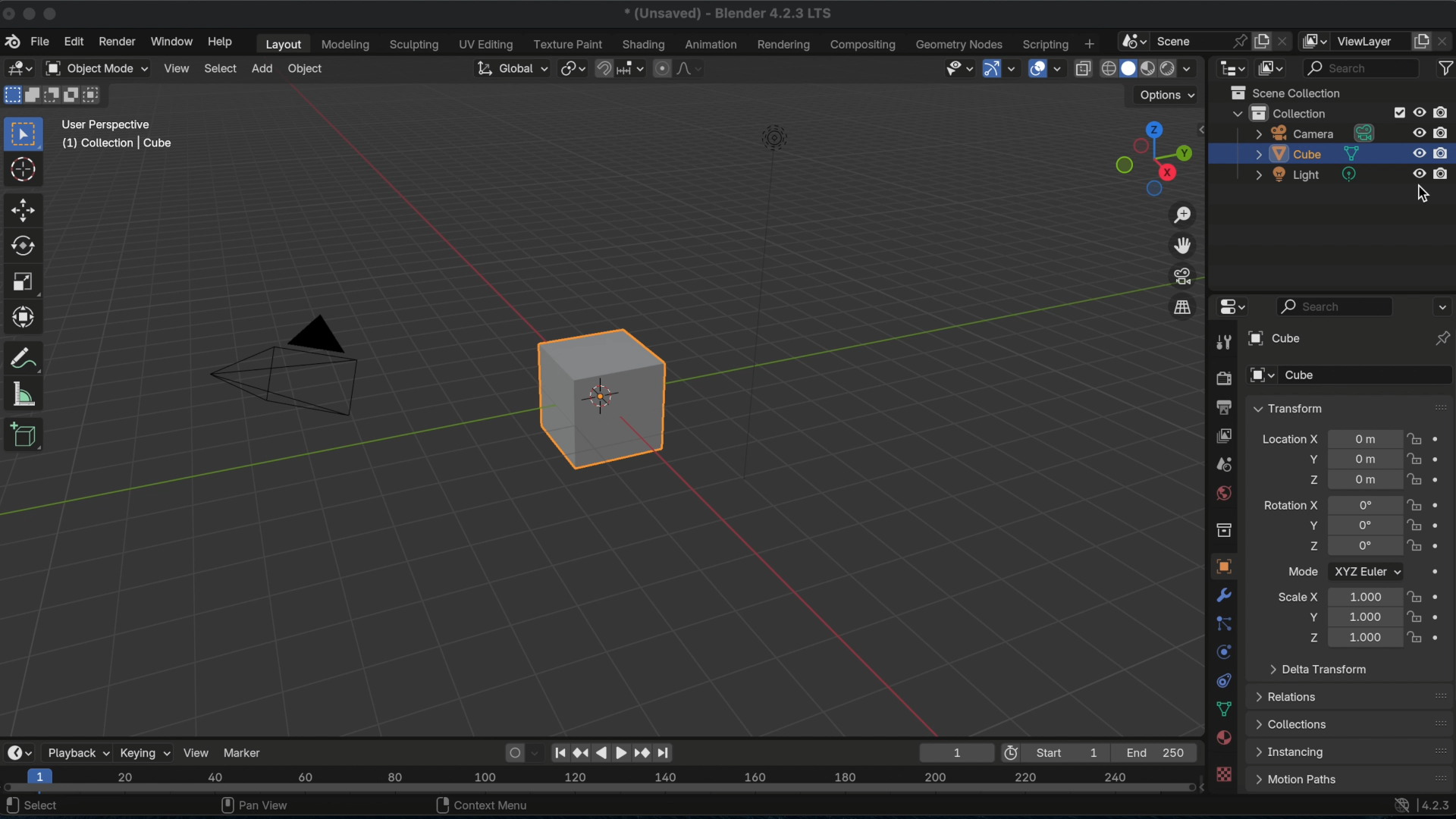 The image size is (1456, 819). I want to click on snapping, so click(620, 67).